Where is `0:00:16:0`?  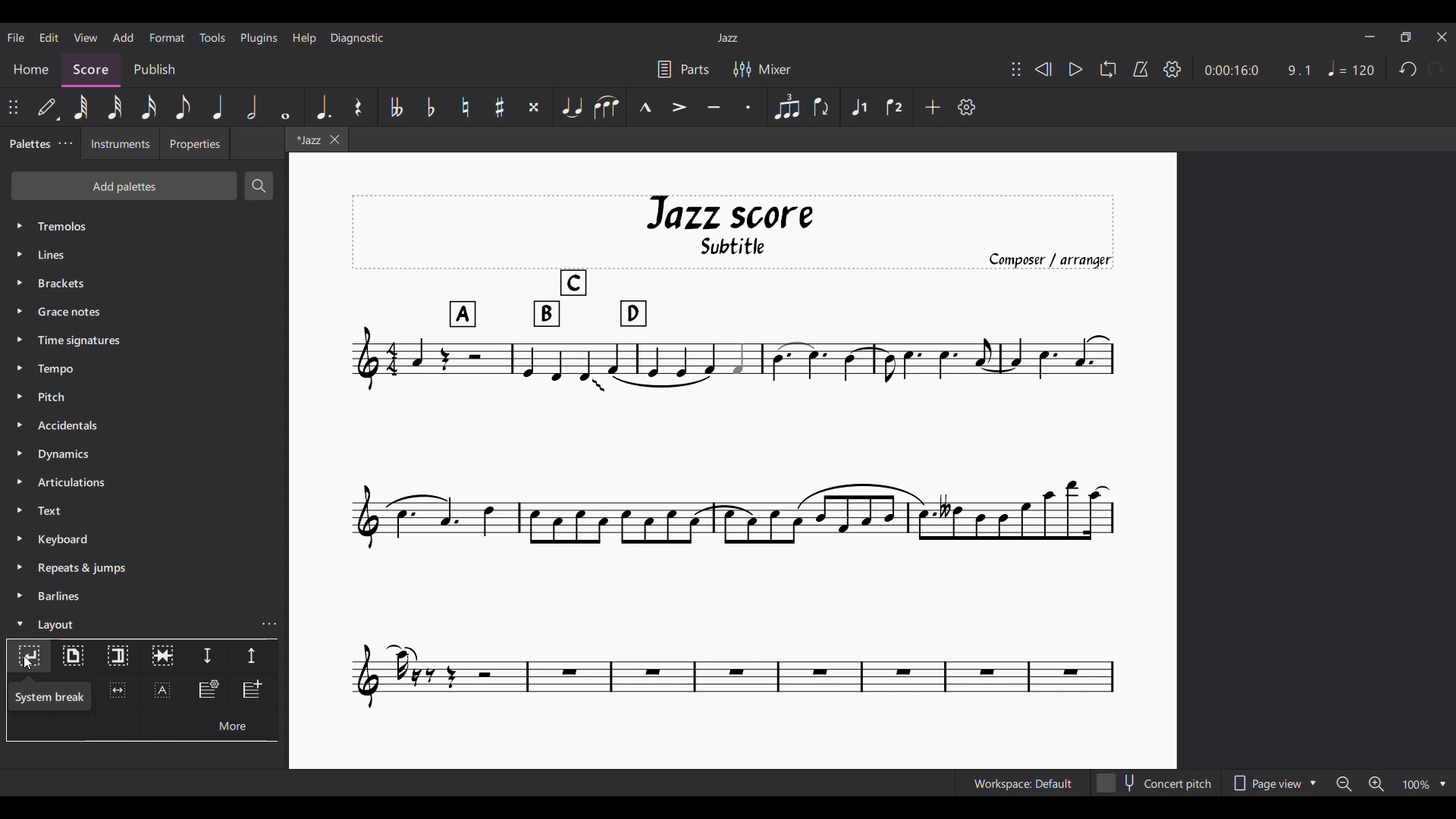 0:00:16:0 is located at coordinates (1231, 71).